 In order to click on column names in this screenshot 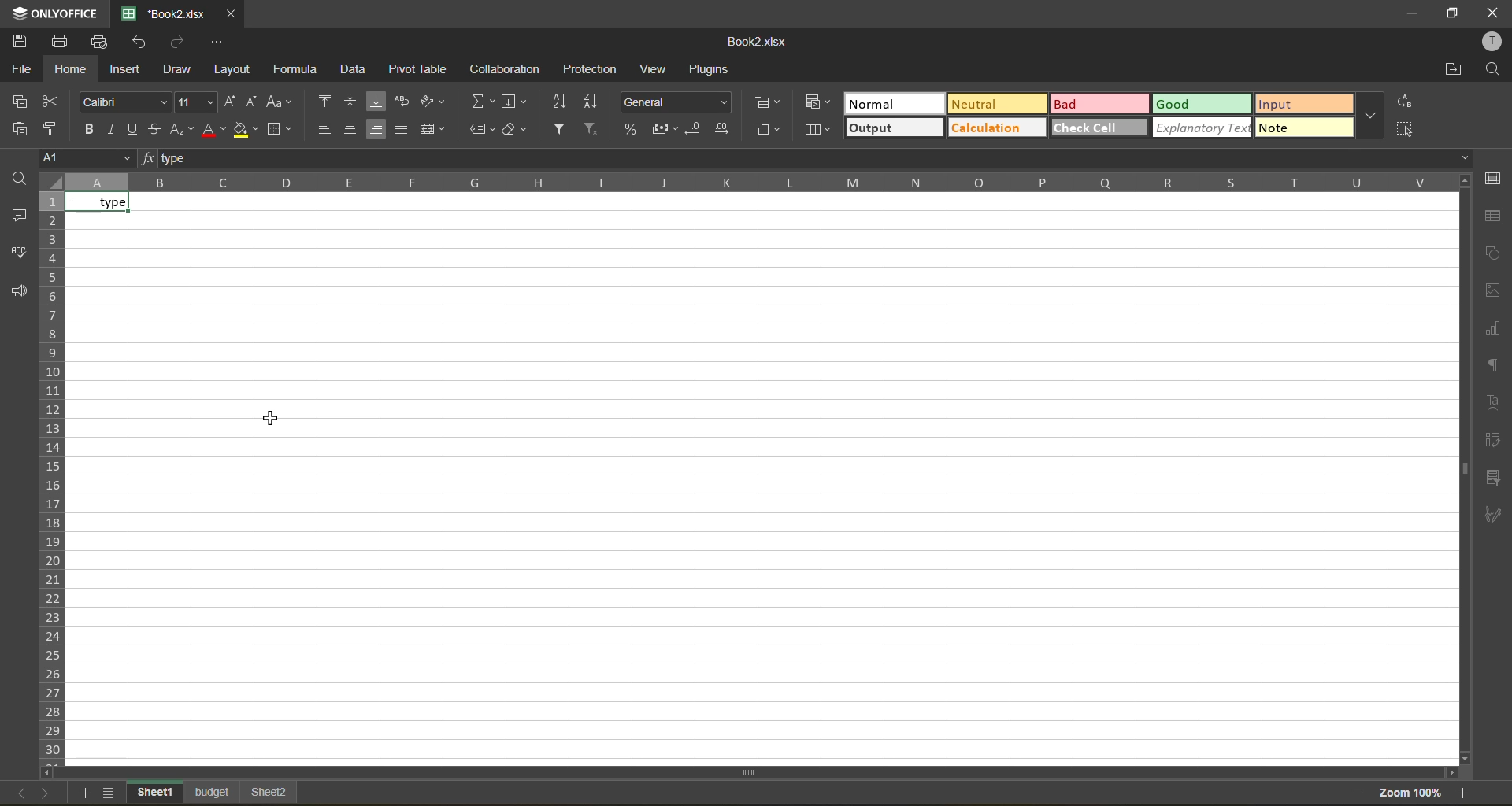, I will do `click(759, 182)`.